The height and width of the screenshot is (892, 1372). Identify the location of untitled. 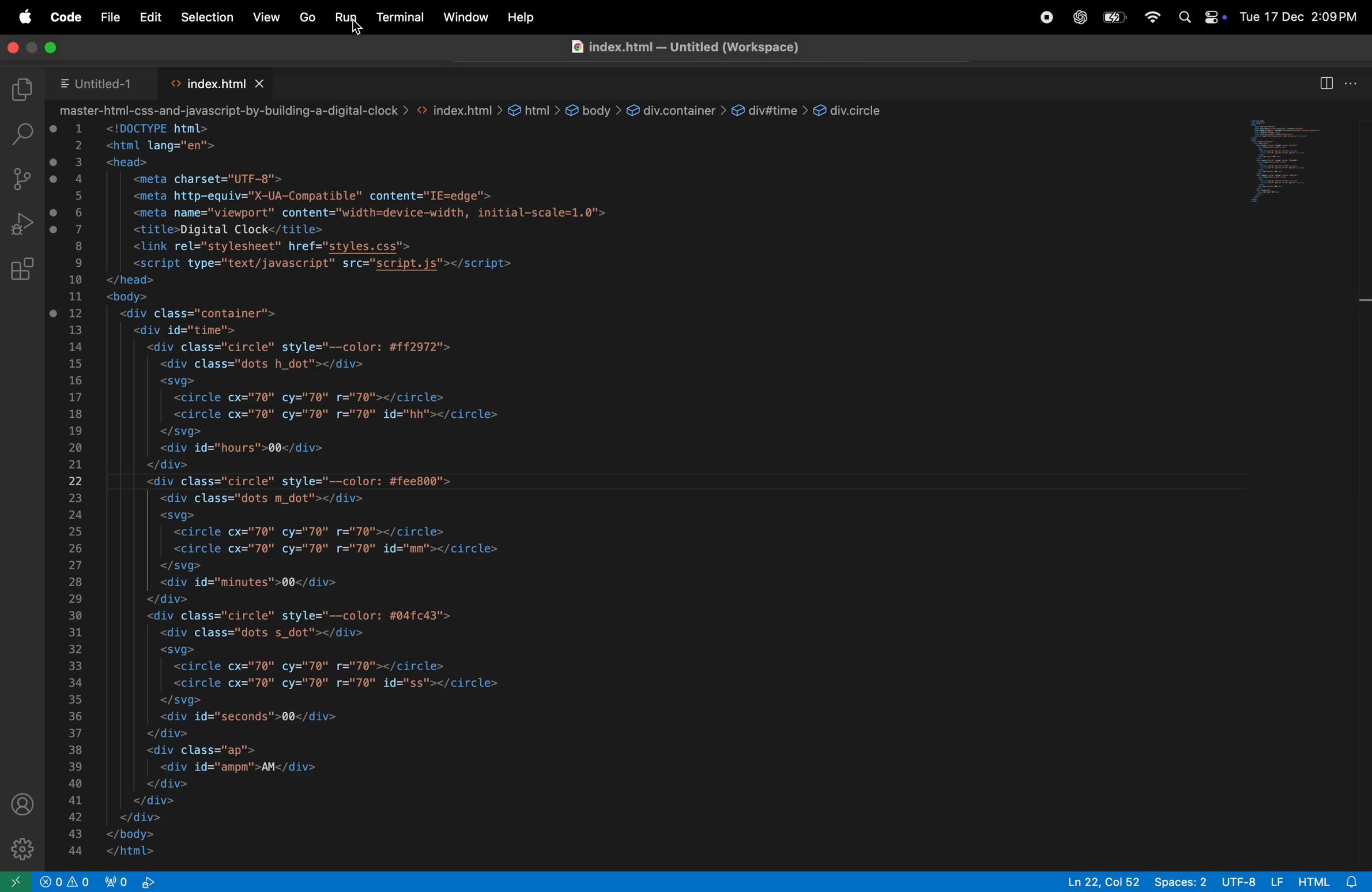
(97, 82).